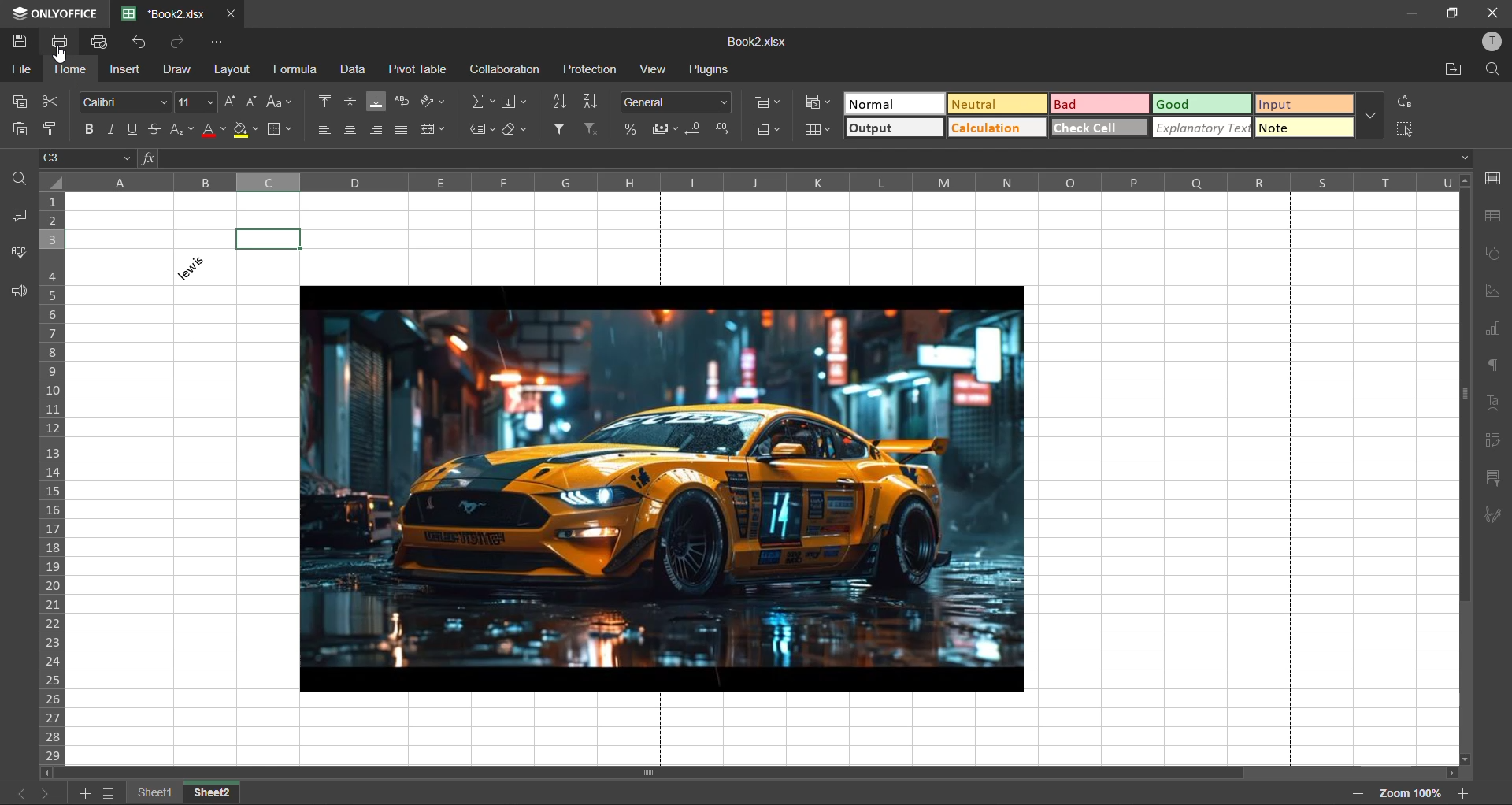 This screenshot has height=805, width=1512. Describe the element at coordinates (324, 102) in the screenshot. I see `align top` at that location.